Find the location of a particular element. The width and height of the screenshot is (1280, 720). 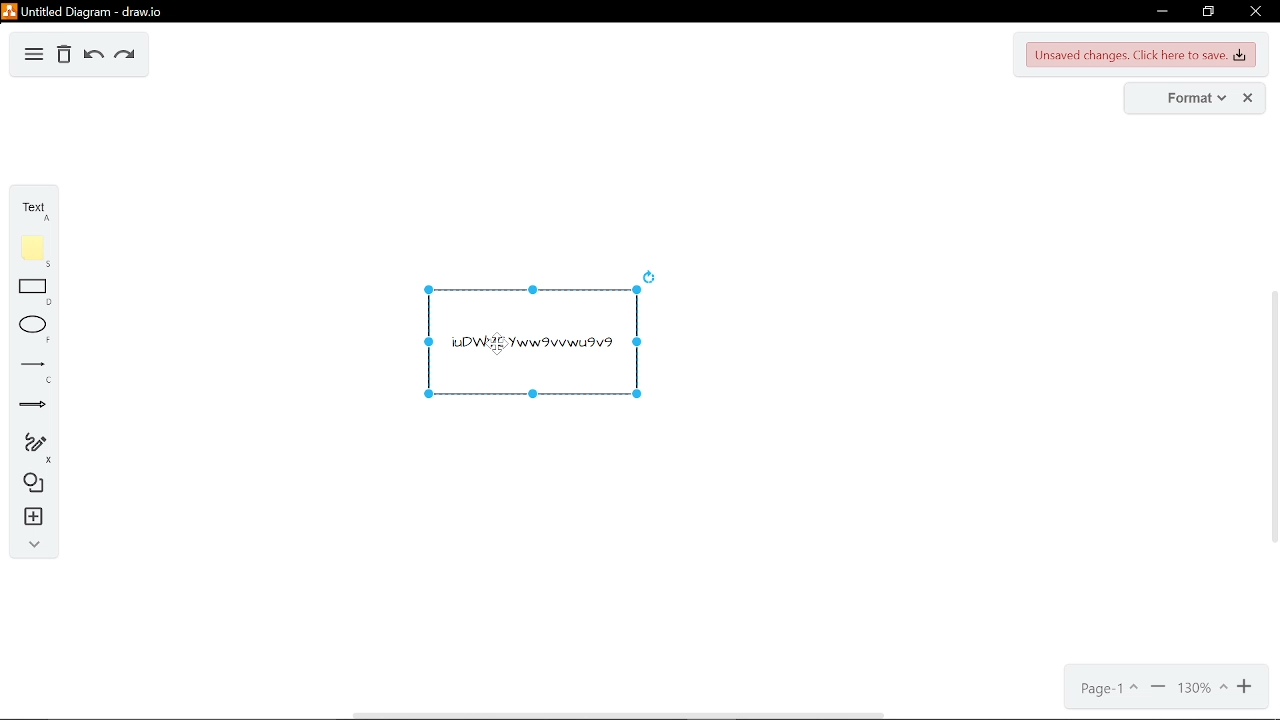

Current Diagram and text is located at coordinates (532, 346).